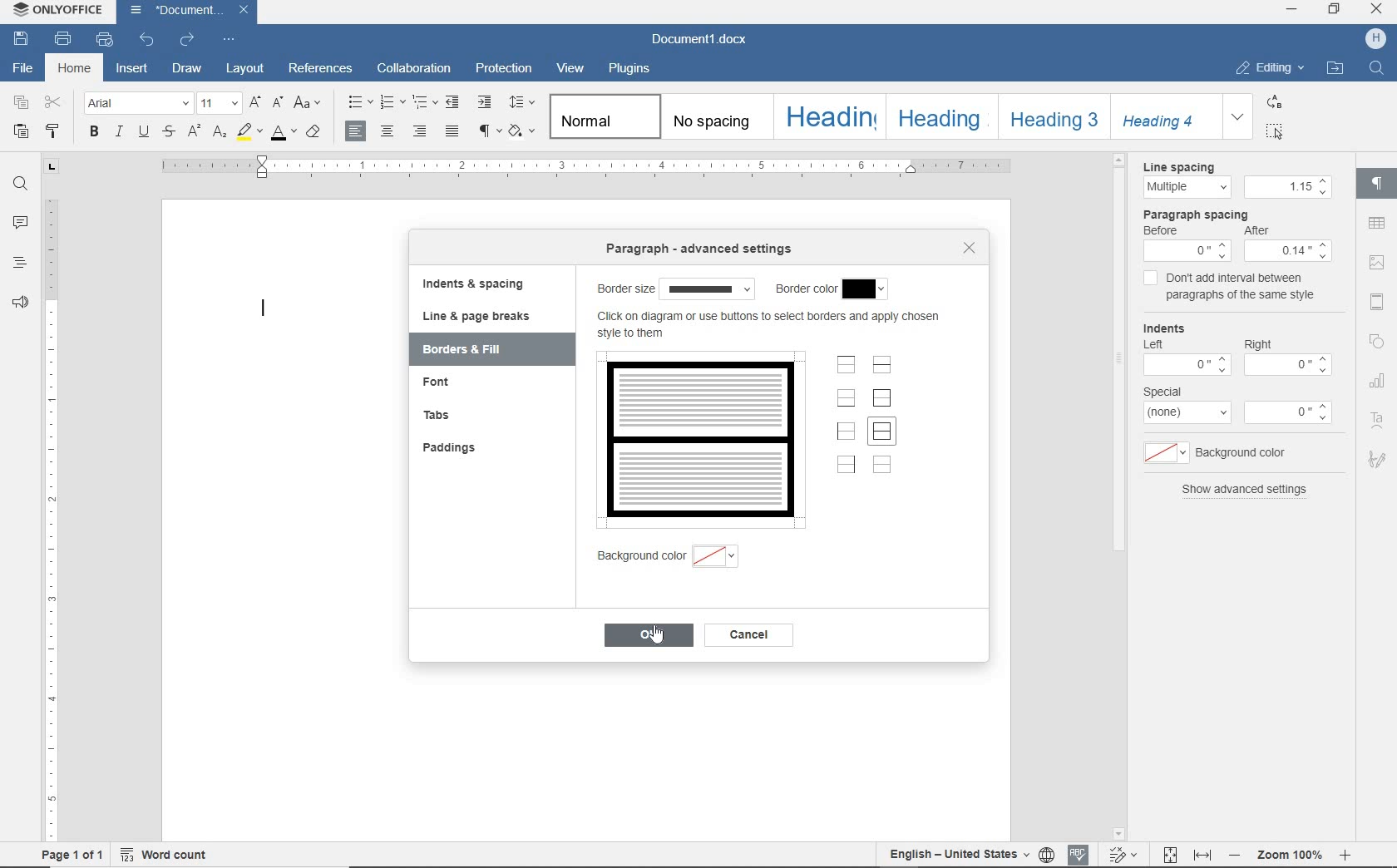  What do you see at coordinates (847, 431) in the screenshot?
I see `set left border only` at bounding box center [847, 431].